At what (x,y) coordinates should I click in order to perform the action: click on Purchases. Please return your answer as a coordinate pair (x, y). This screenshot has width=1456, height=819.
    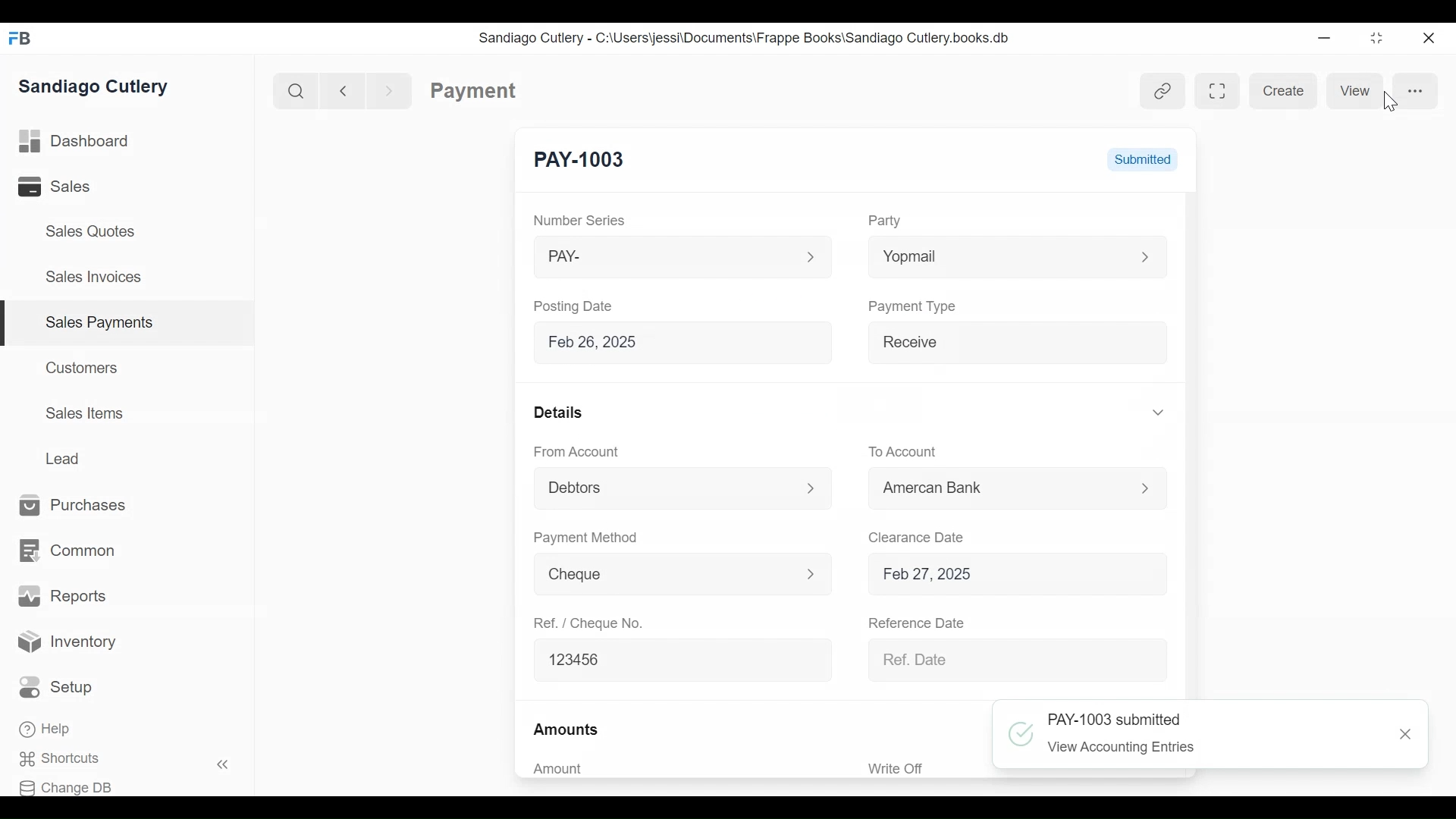
    Looking at the image, I should click on (74, 506).